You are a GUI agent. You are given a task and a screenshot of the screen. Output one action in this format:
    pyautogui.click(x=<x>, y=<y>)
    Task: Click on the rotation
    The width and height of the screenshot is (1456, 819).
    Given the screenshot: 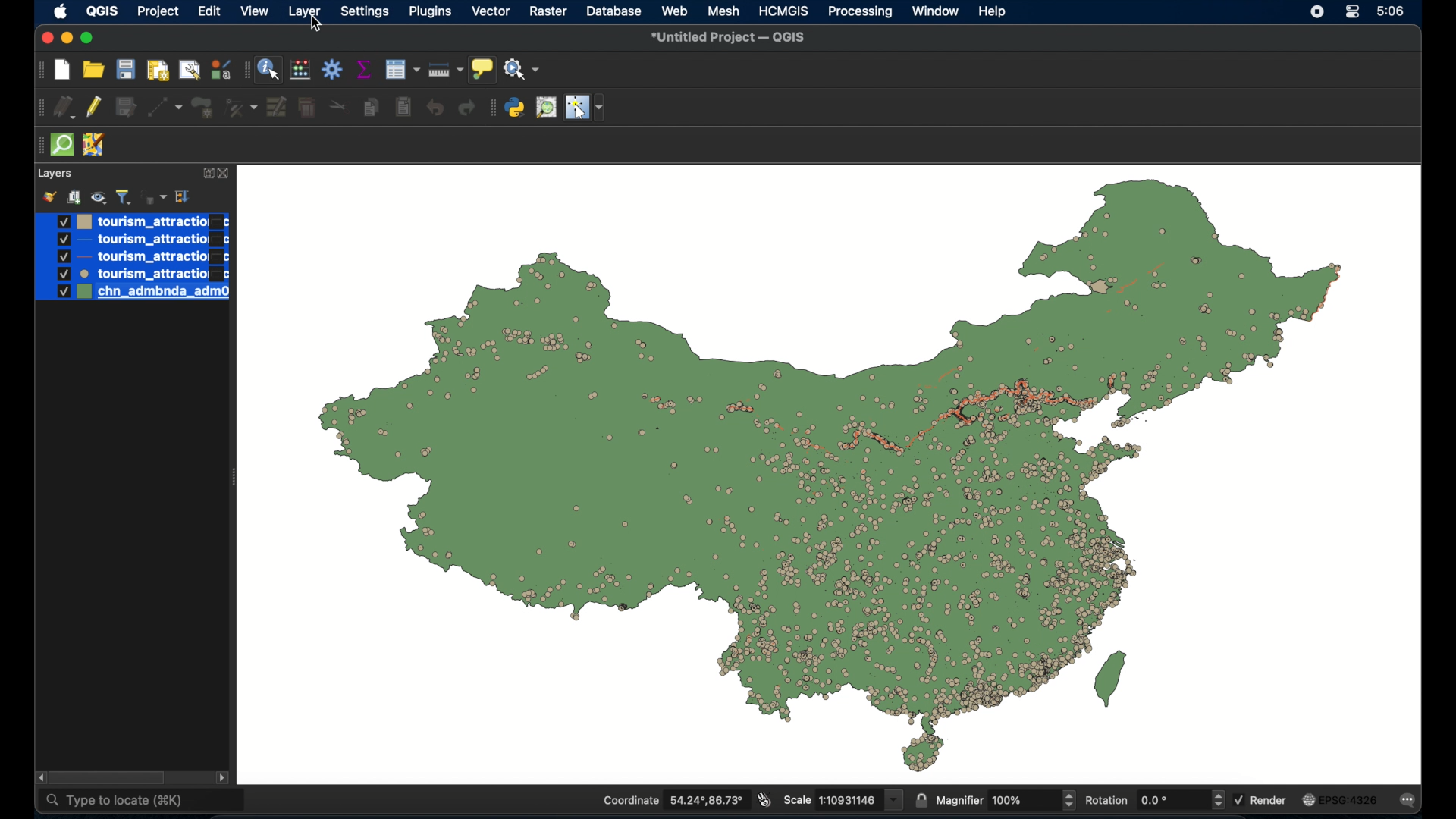 What is the action you would take?
    pyautogui.click(x=1153, y=799)
    